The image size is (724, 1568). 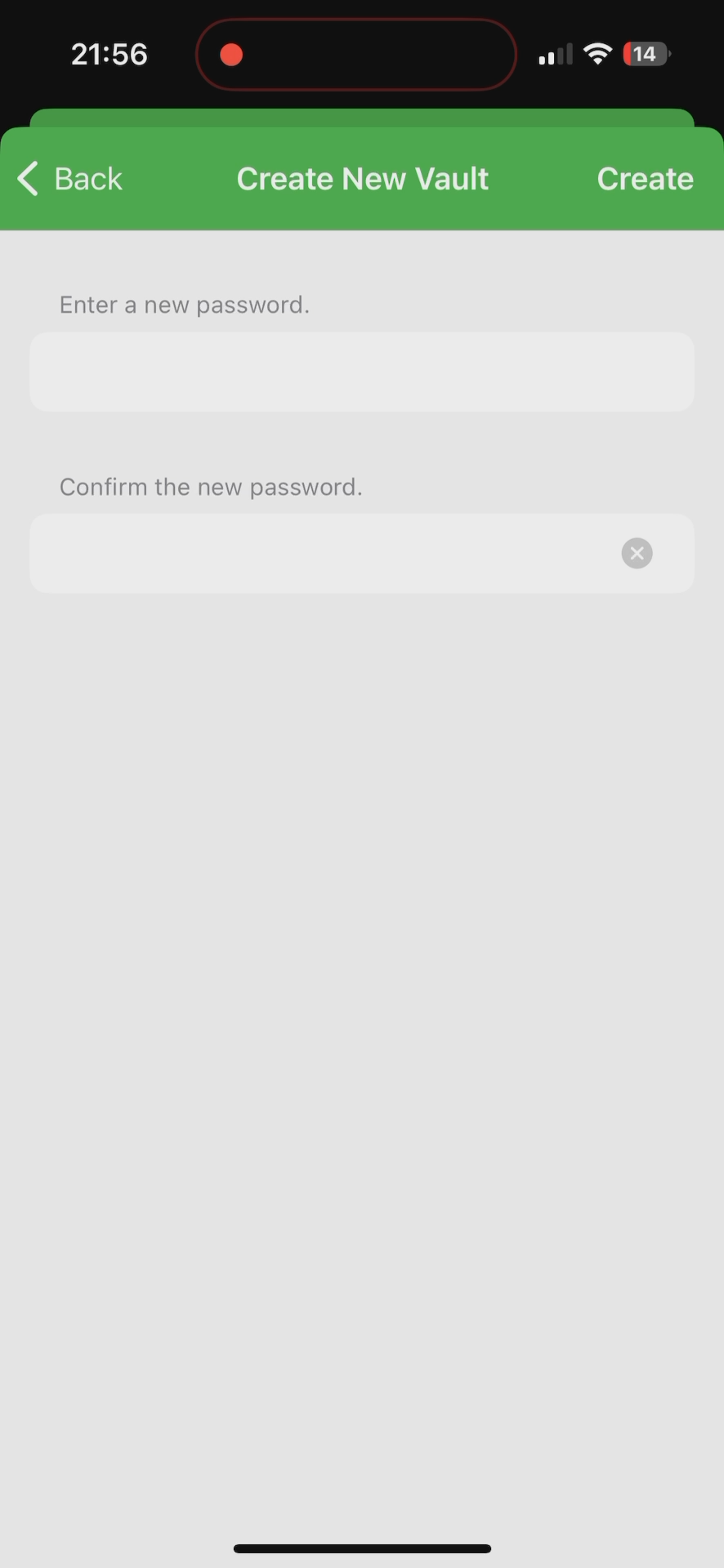 I want to click on create, so click(x=646, y=168).